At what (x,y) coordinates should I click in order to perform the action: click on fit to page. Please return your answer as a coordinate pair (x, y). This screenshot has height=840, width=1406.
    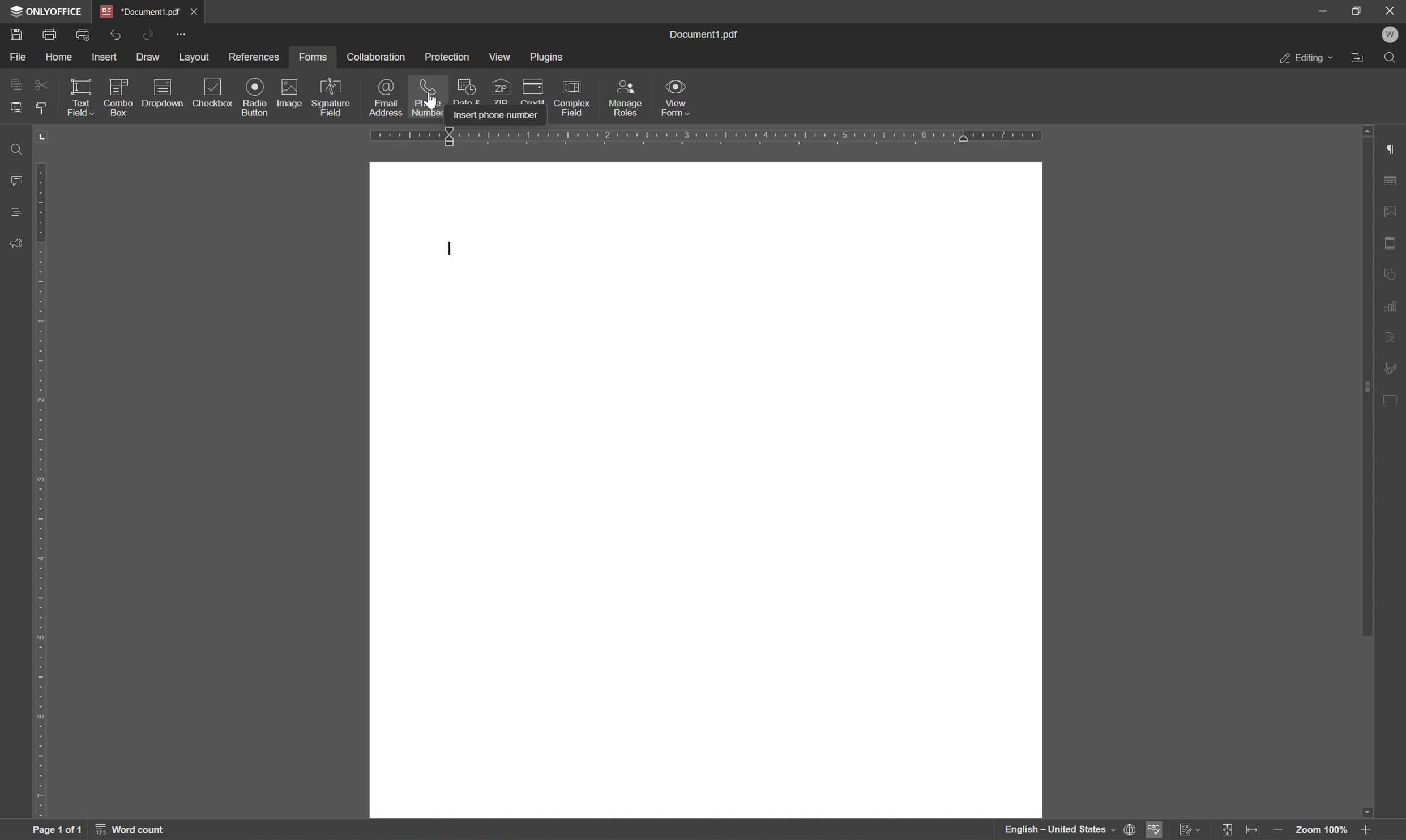
    Looking at the image, I should click on (1231, 830).